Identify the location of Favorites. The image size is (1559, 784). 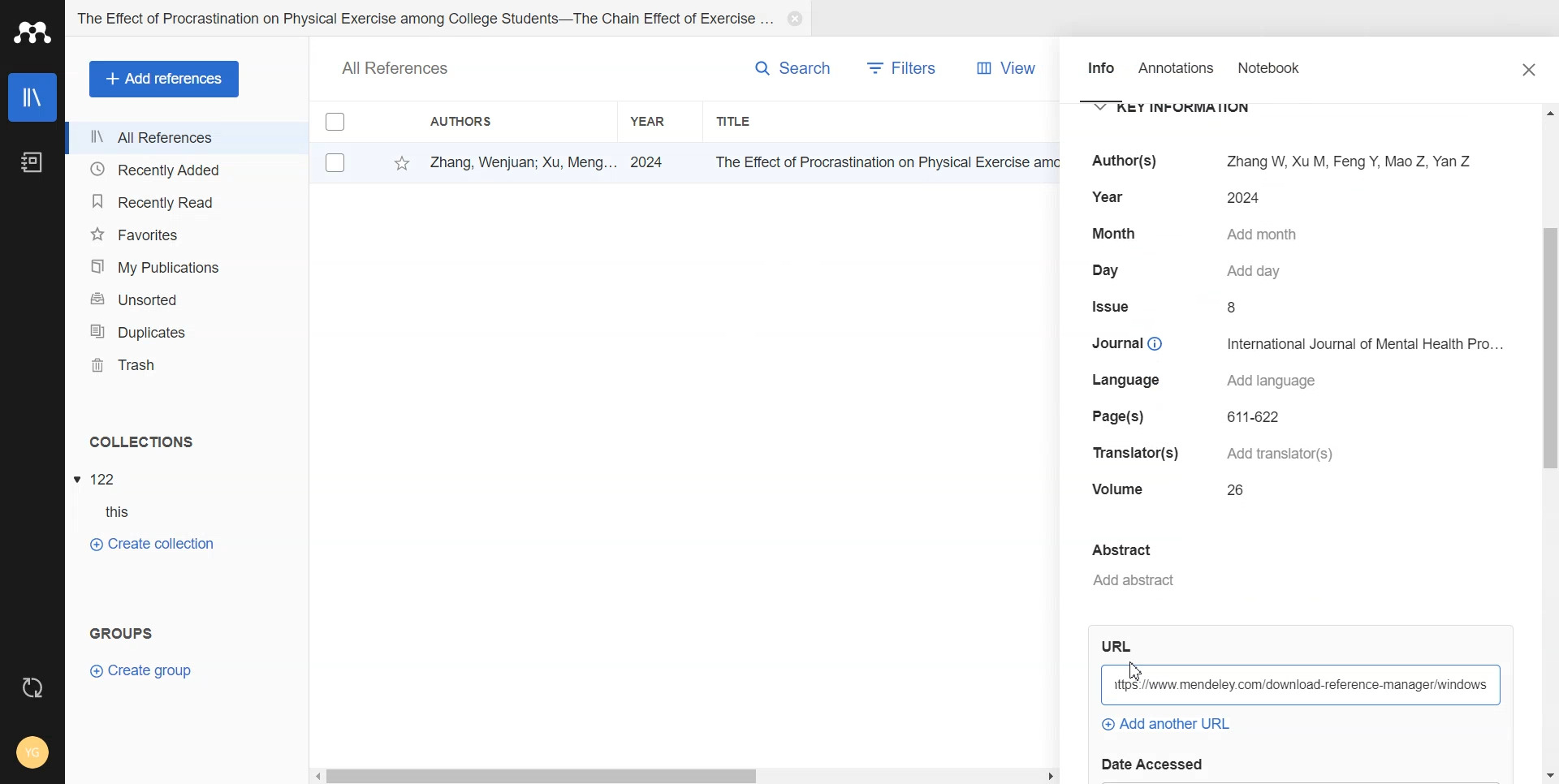
(187, 234).